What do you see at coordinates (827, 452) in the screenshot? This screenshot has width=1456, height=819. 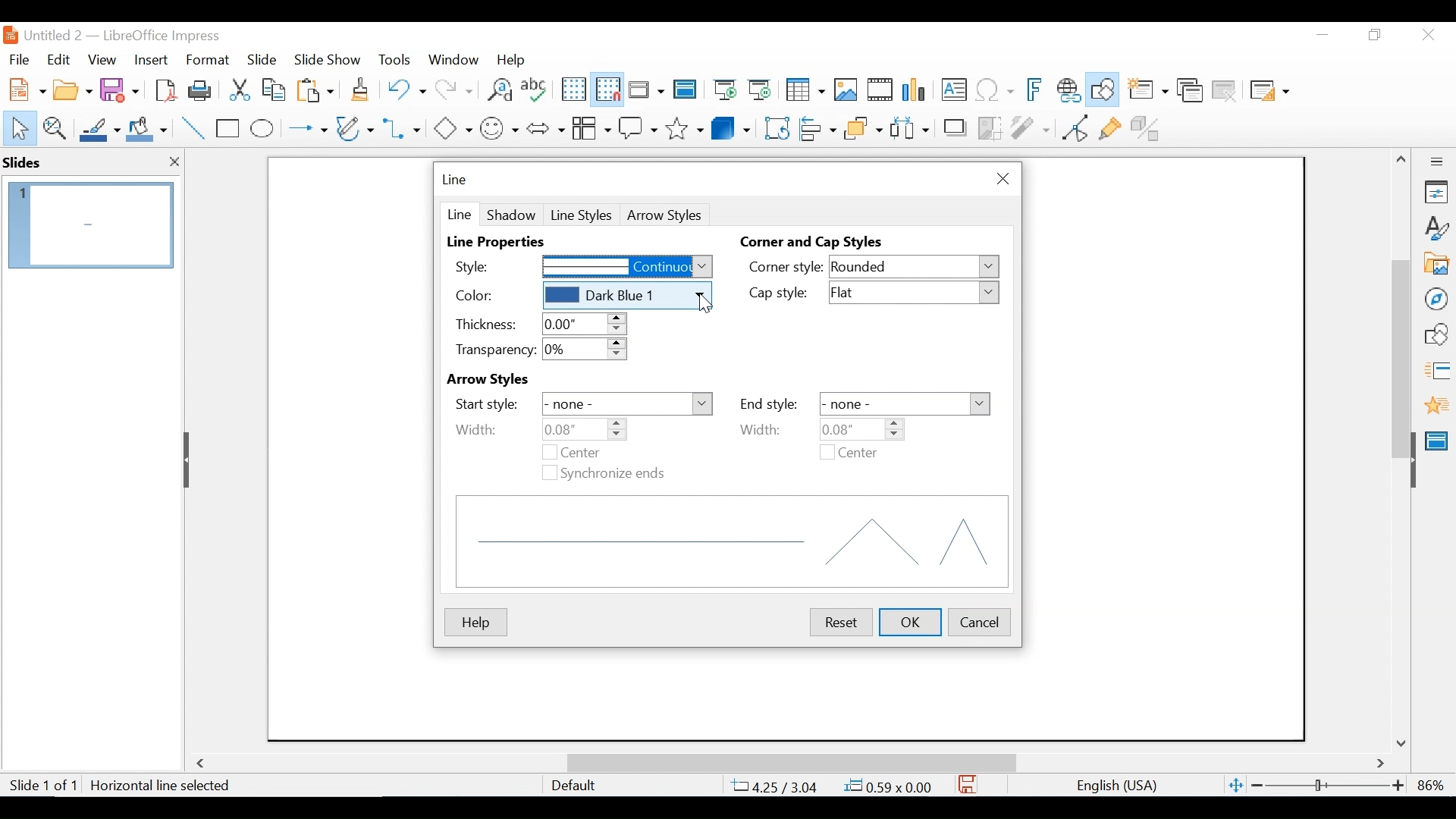 I see `checkbox` at bounding box center [827, 452].